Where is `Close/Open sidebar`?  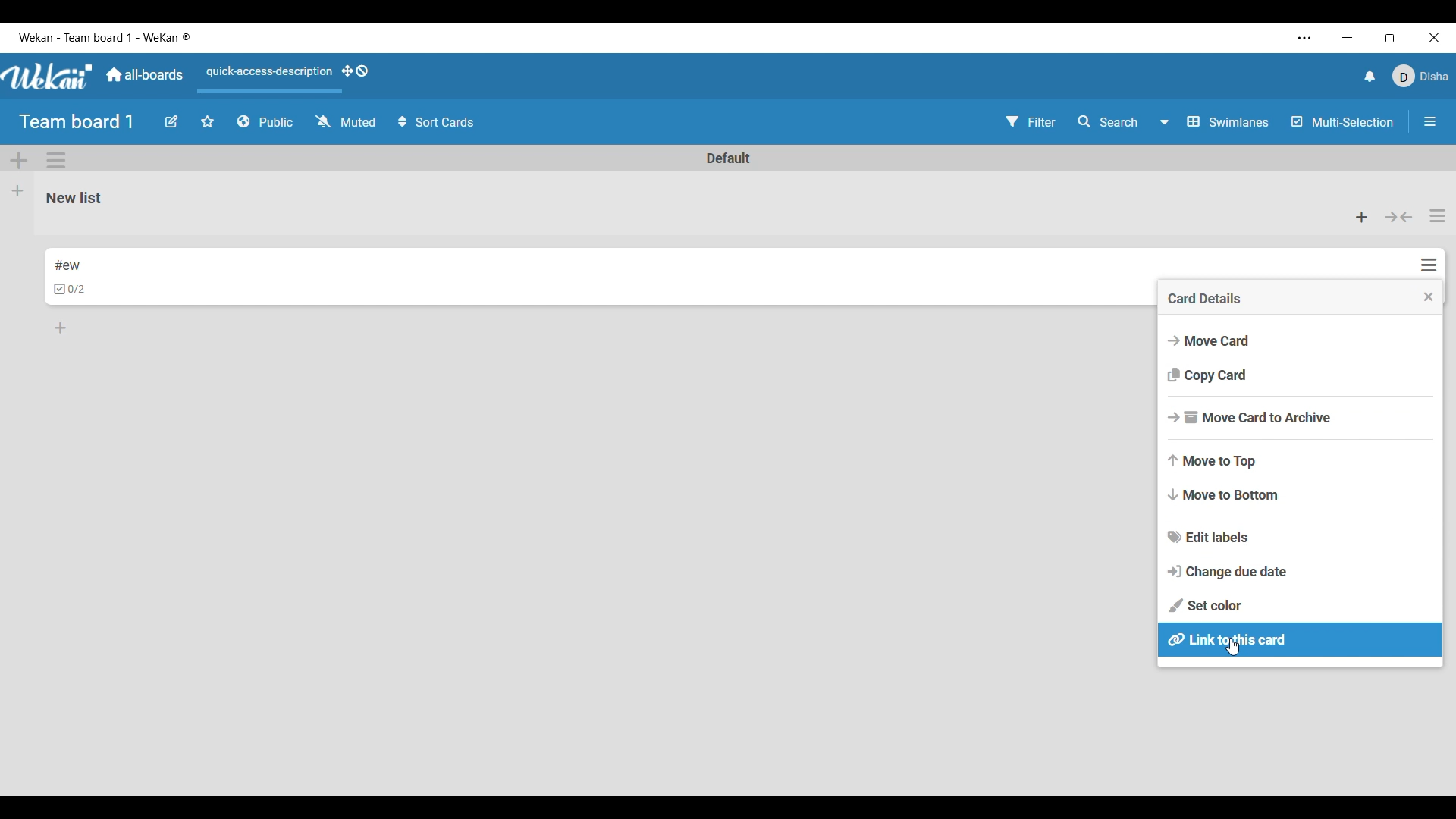
Close/Open sidebar is located at coordinates (1430, 122).